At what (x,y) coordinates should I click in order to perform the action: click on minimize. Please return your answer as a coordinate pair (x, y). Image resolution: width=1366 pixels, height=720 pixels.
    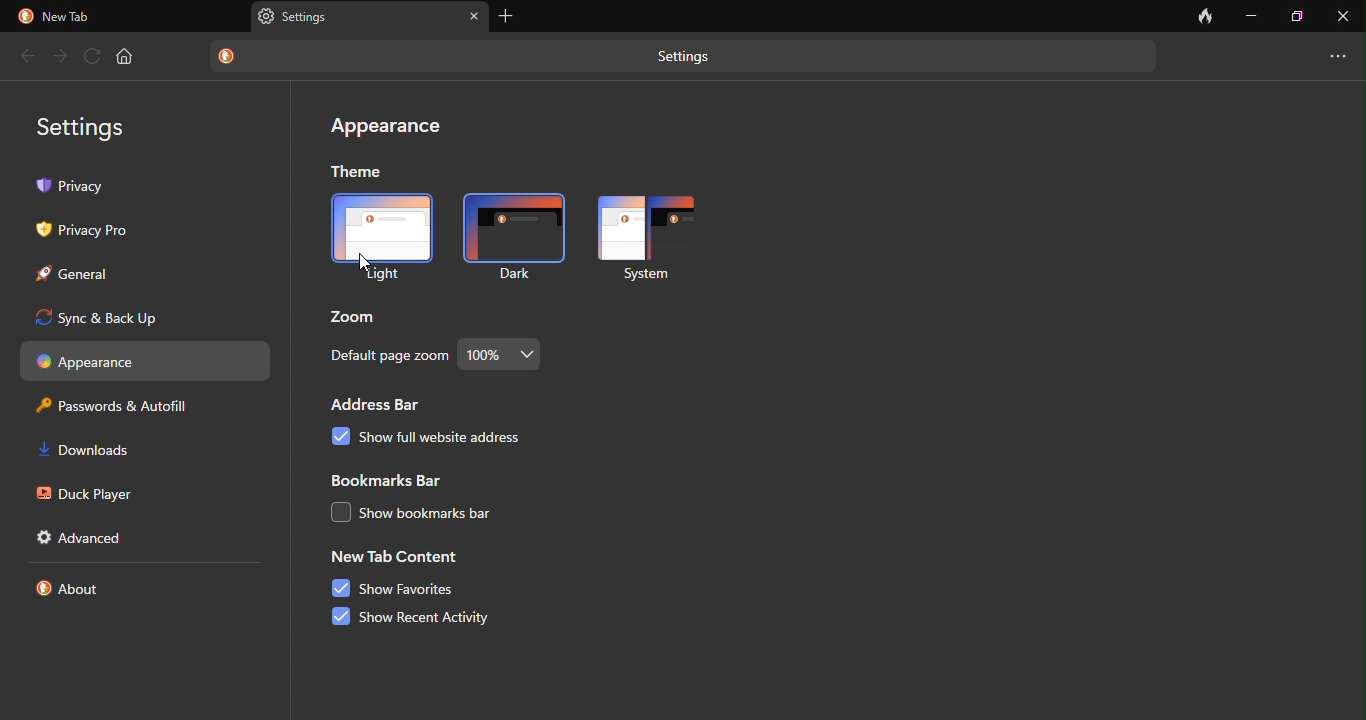
    Looking at the image, I should click on (1252, 14).